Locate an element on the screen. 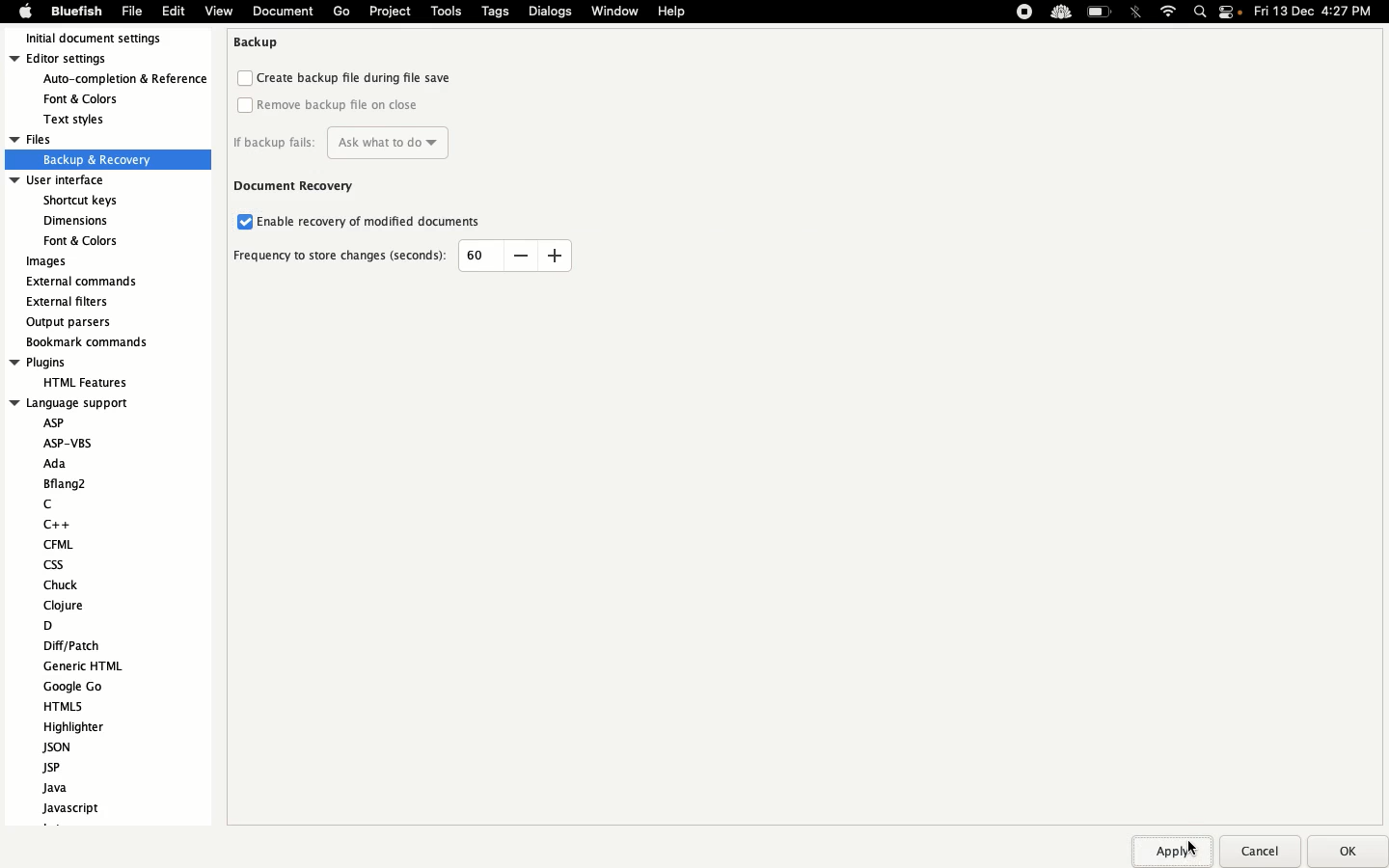 The width and height of the screenshot is (1389, 868). Frequency to story changes  is located at coordinates (343, 258).